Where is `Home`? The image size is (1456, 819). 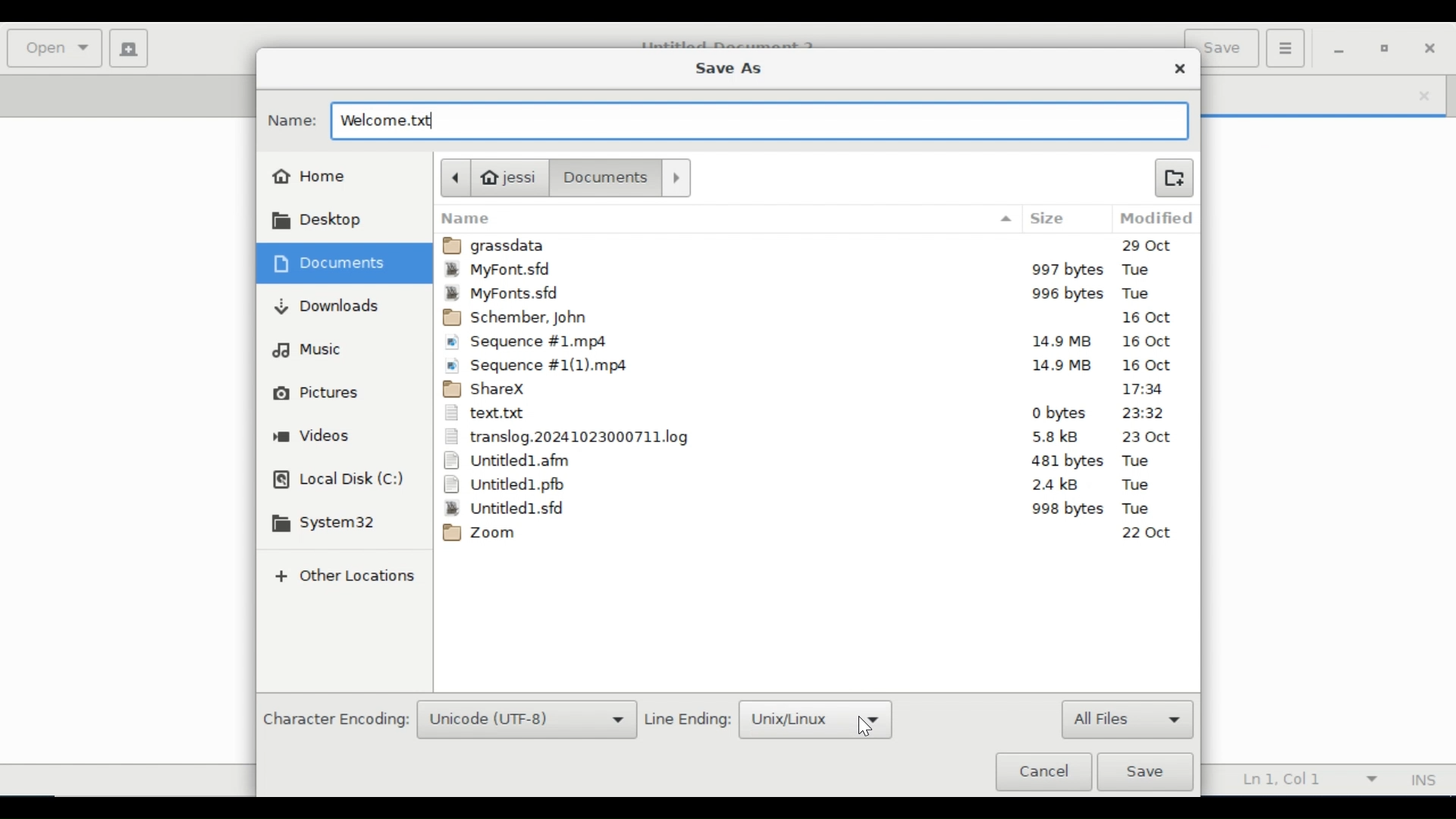 Home is located at coordinates (311, 177).